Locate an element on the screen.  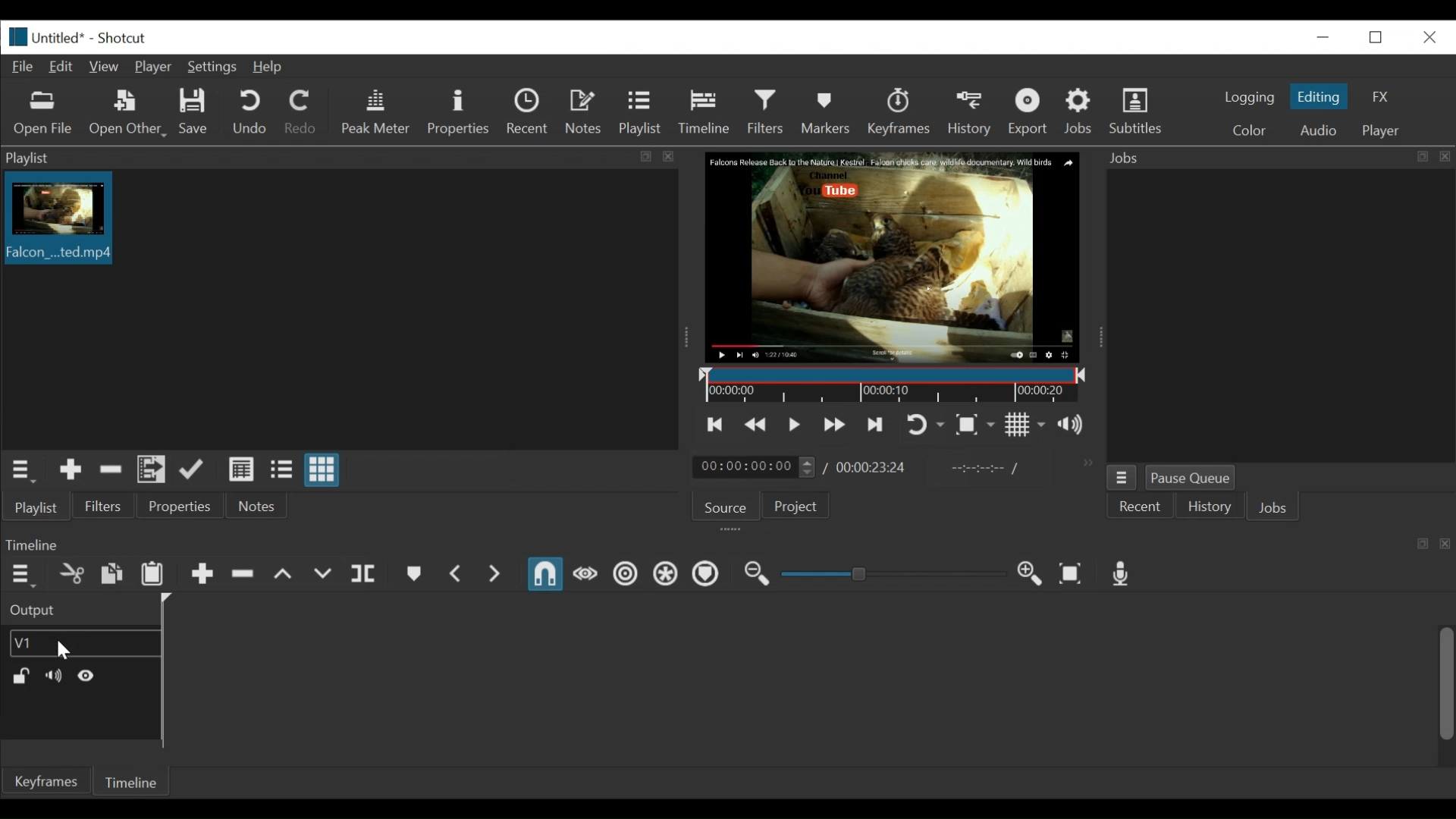
Add files to the playlist is located at coordinates (153, 470).